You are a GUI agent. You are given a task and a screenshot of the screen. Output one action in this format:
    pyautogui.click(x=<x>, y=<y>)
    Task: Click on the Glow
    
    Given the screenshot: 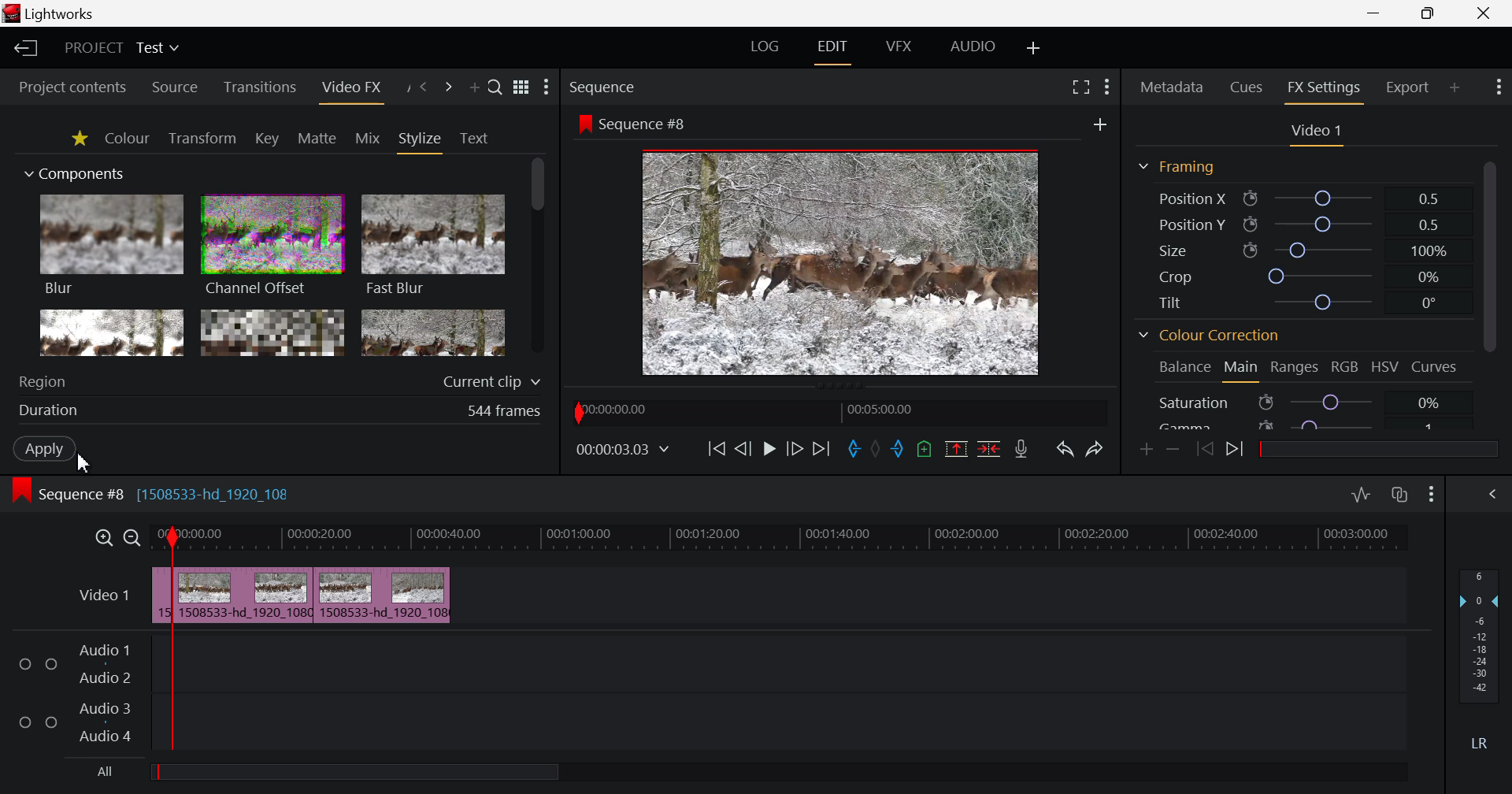 What is the action you would take?
    pyautogui.click(x=113, y=333)
    